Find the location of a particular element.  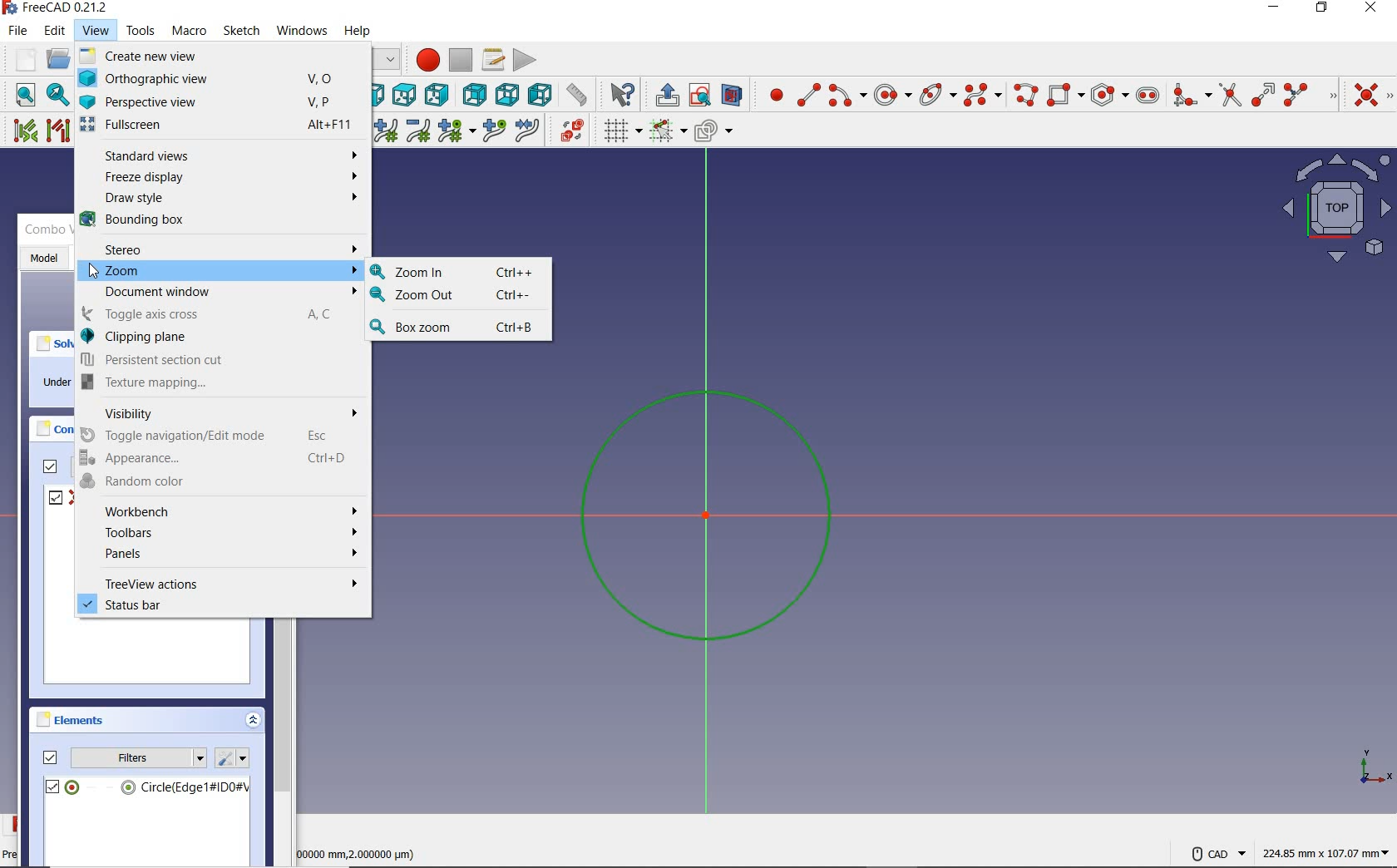

macro is located at coordinates (189, 31).